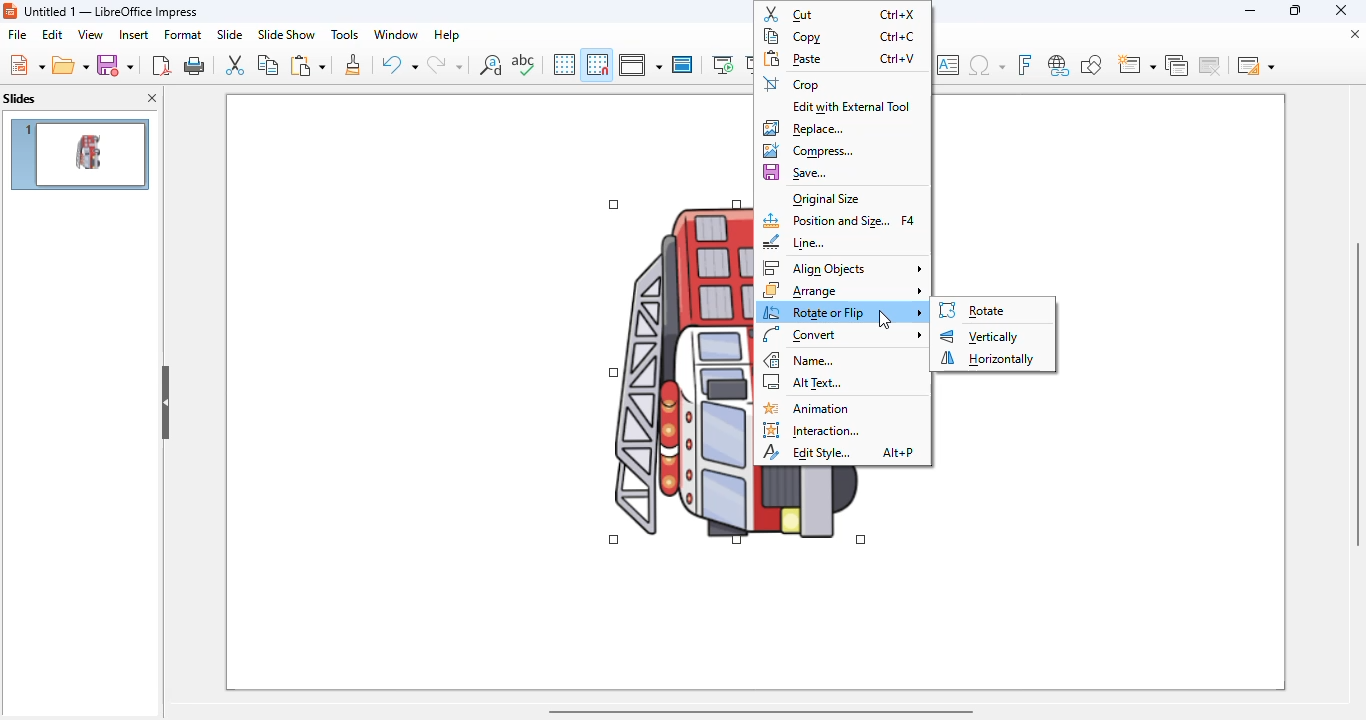 Image resolution: width=1366 pixels, height=720 pixels. What do you see at coordinates (982, 336) in the screenshot?
I see `vertically` at bounding box center [982, 336].